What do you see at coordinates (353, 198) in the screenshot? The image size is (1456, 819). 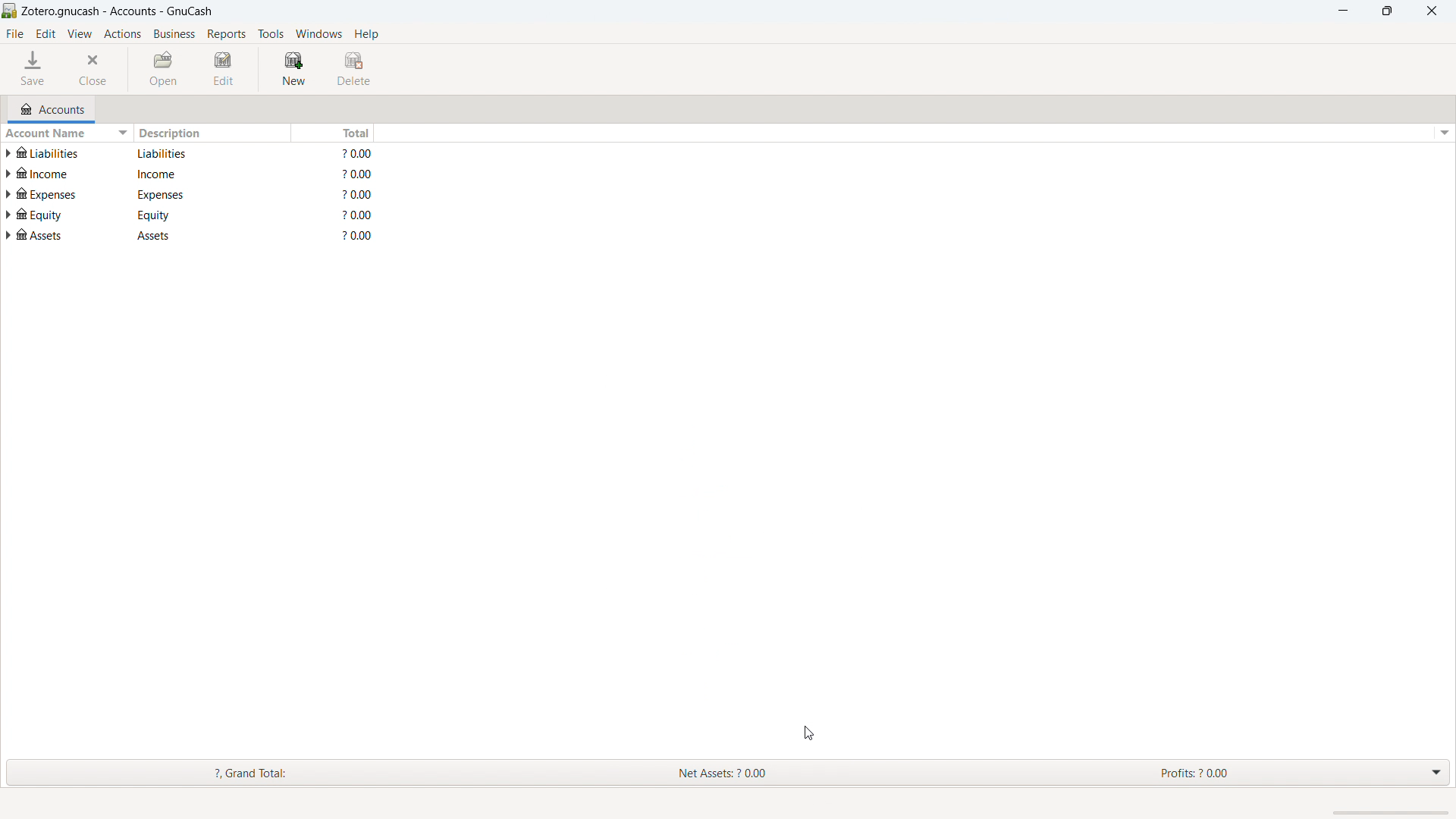 I see `total` at bounding box center [353, 198].